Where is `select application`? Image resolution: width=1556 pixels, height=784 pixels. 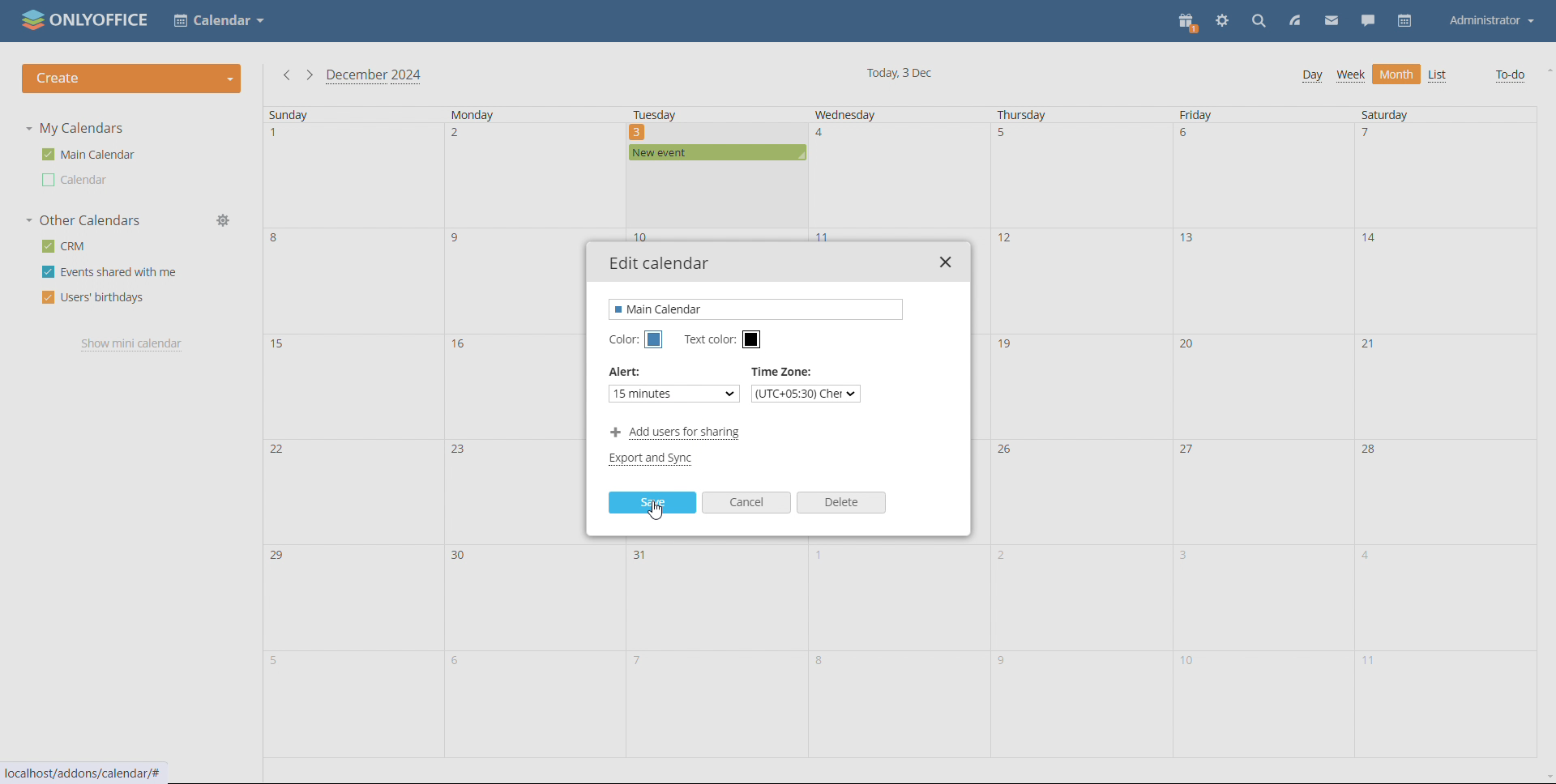
select application is located at coordinates (220, 21).